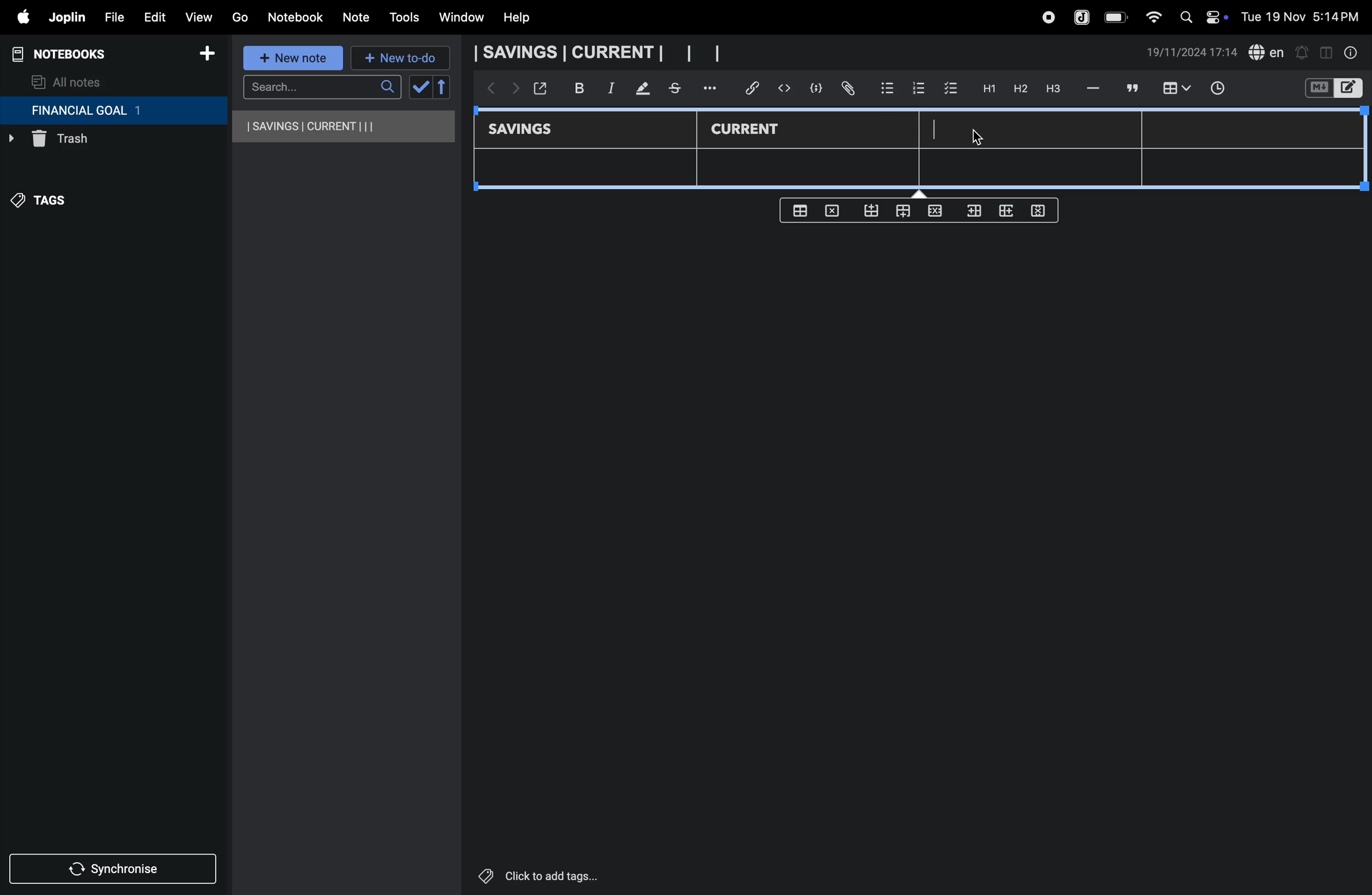 The width and height of the screenshot is (1372, 895). What do you see at coordinates (1039, 210) in the screenshot?
I see `delete rows` at bounding box center [1039, 210].